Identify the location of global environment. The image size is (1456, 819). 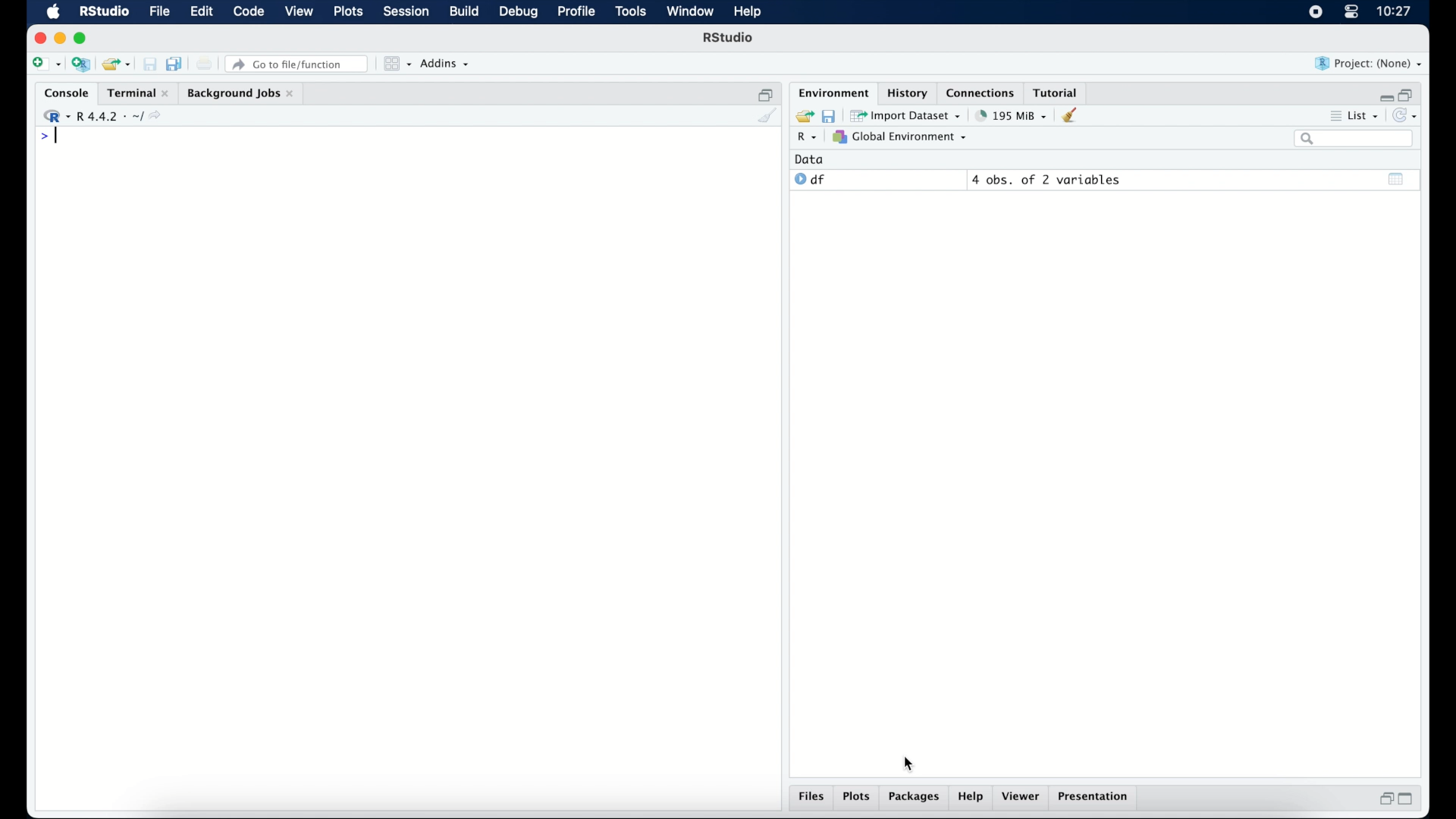
(900, 137).